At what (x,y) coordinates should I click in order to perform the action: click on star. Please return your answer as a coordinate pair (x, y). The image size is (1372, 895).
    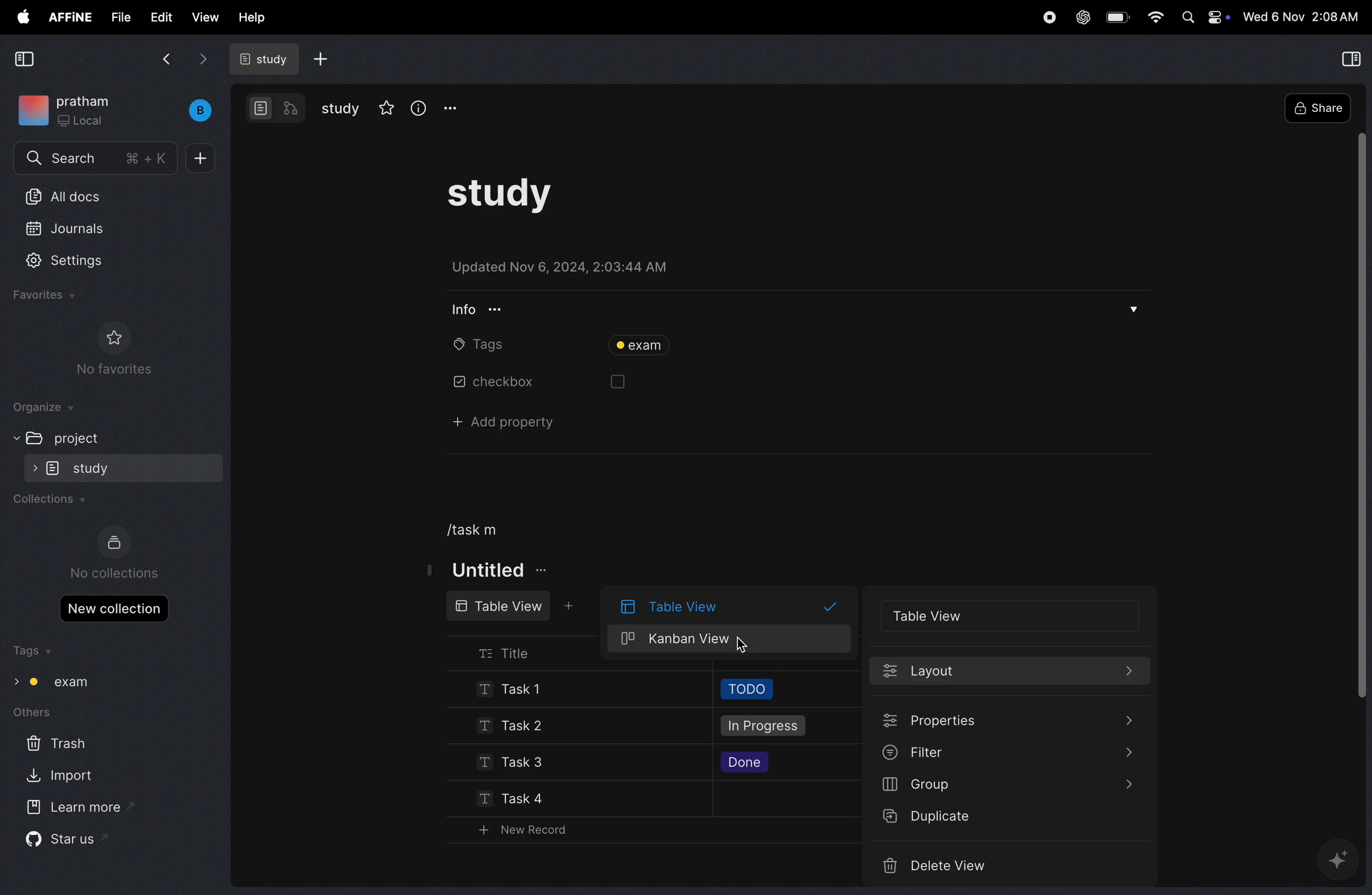
    Looking at the image, I should click on (383, 108).